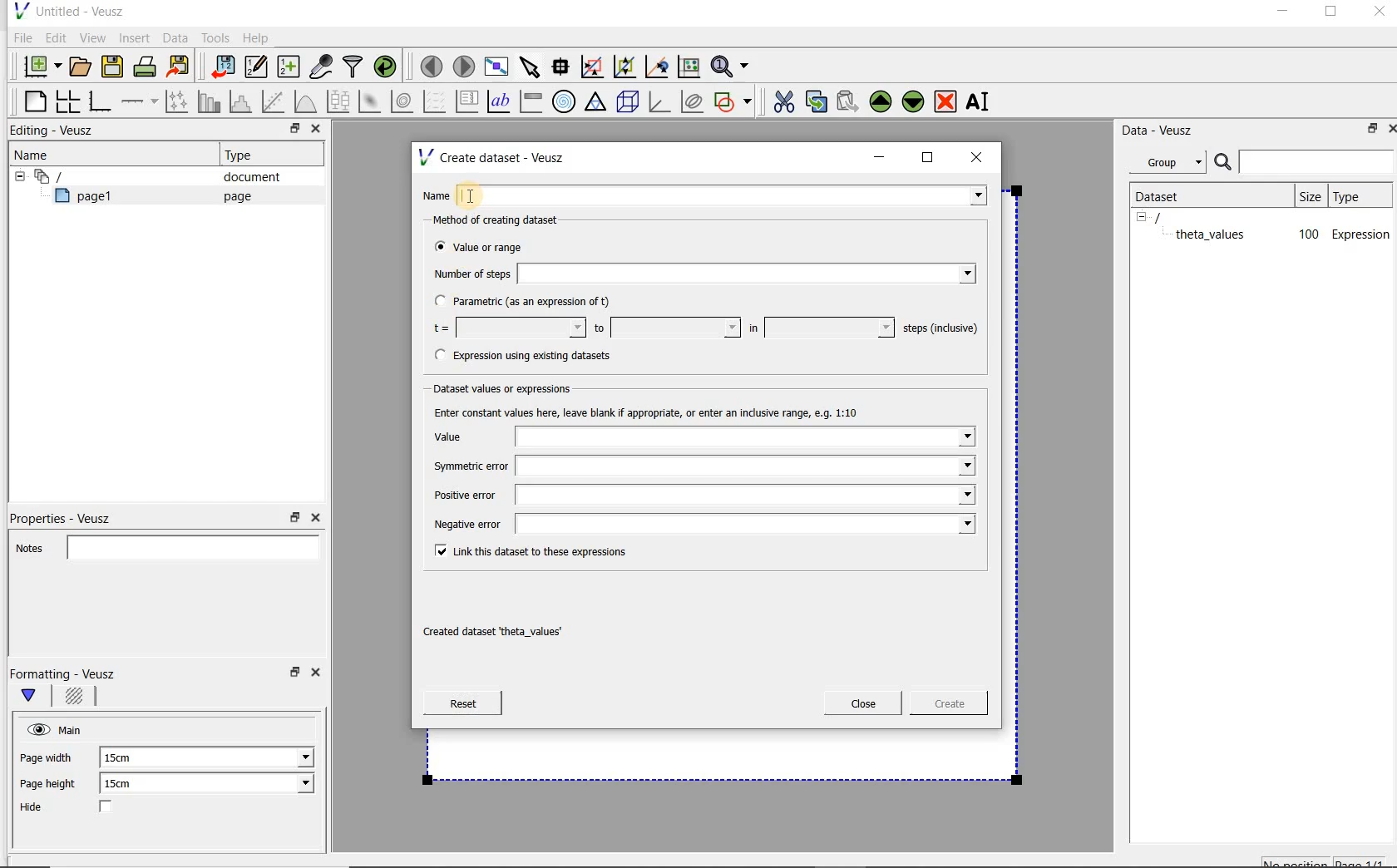 This screenshot has height=868, width=1397. What do you see at coordinates (1163, 130) in the screenshot?
I see `Data - Veusz` at bounding box center [1163, 130].